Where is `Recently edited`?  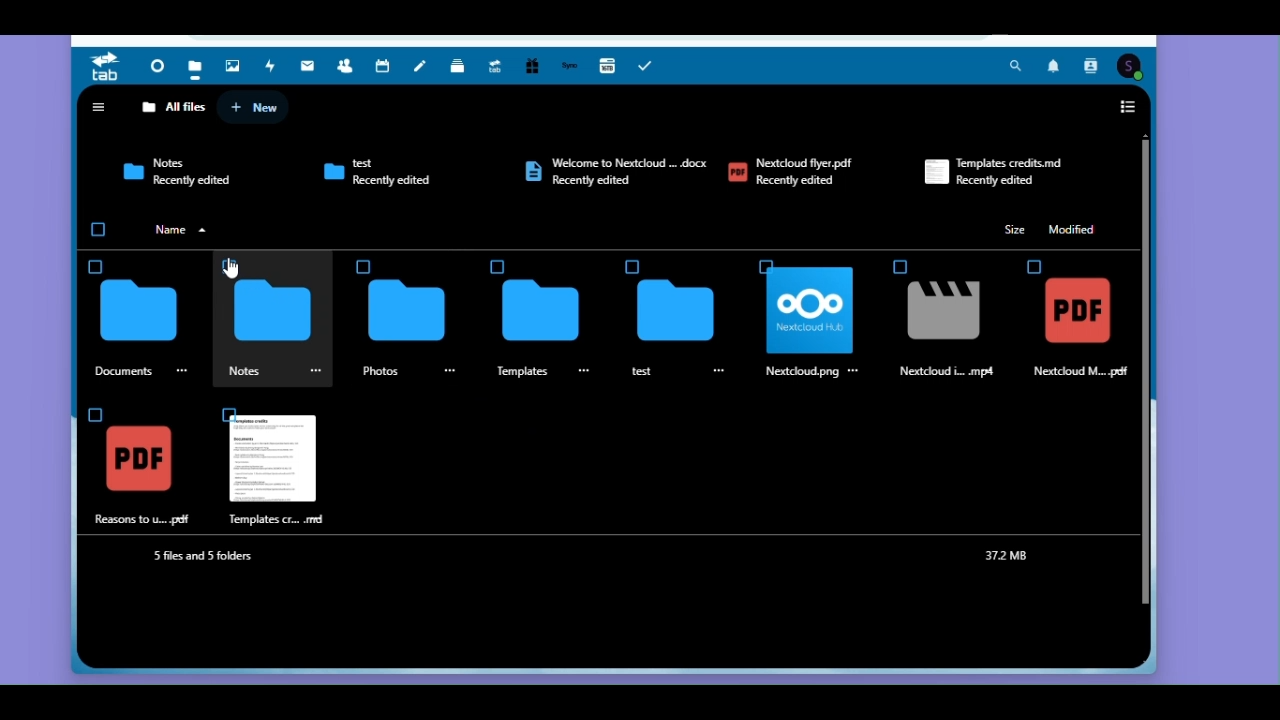 Recently edited is located at coordinates (799, 180).